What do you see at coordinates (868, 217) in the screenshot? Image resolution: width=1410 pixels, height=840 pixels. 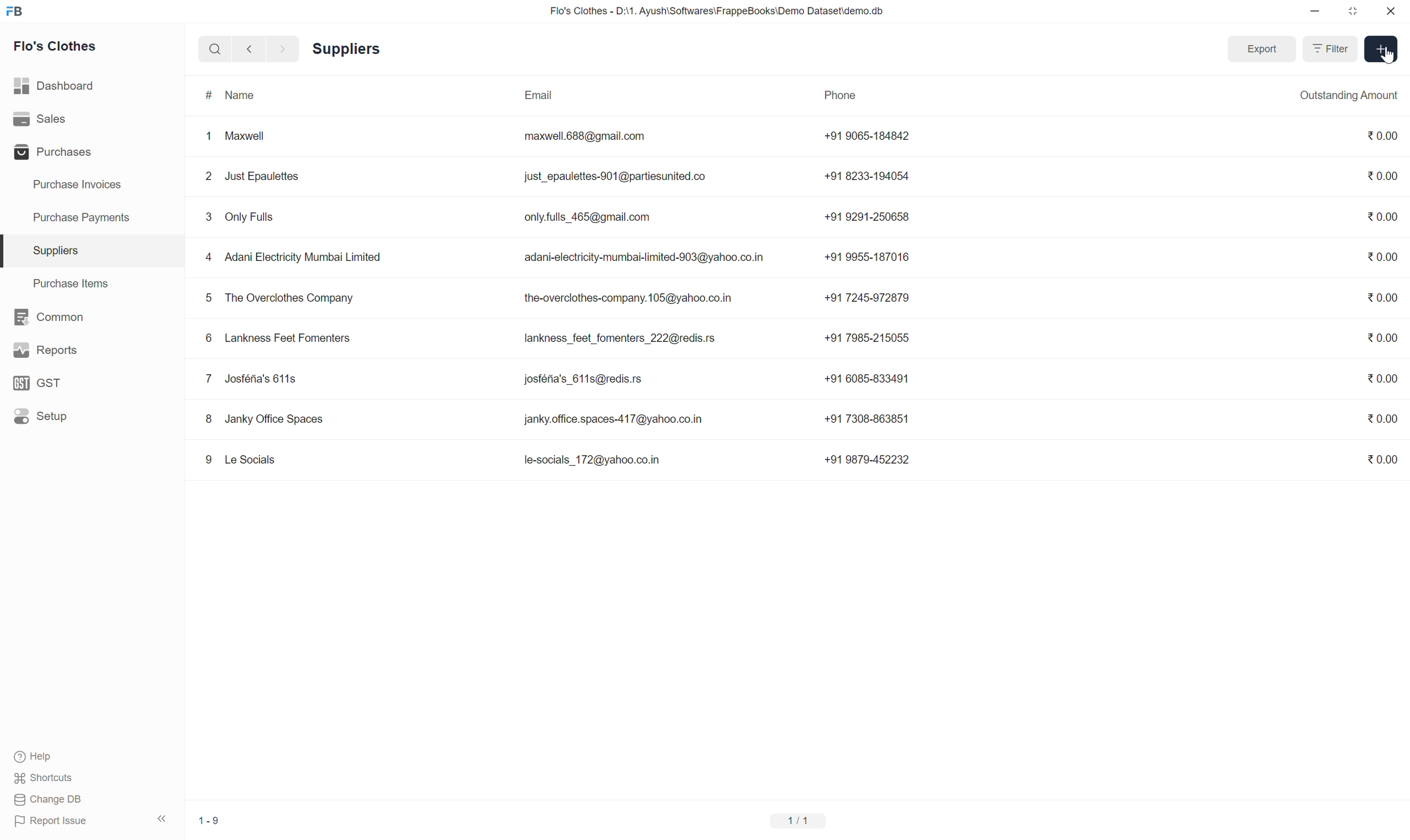 I see `+91 9291-250658` at bounding box center [868, 217].